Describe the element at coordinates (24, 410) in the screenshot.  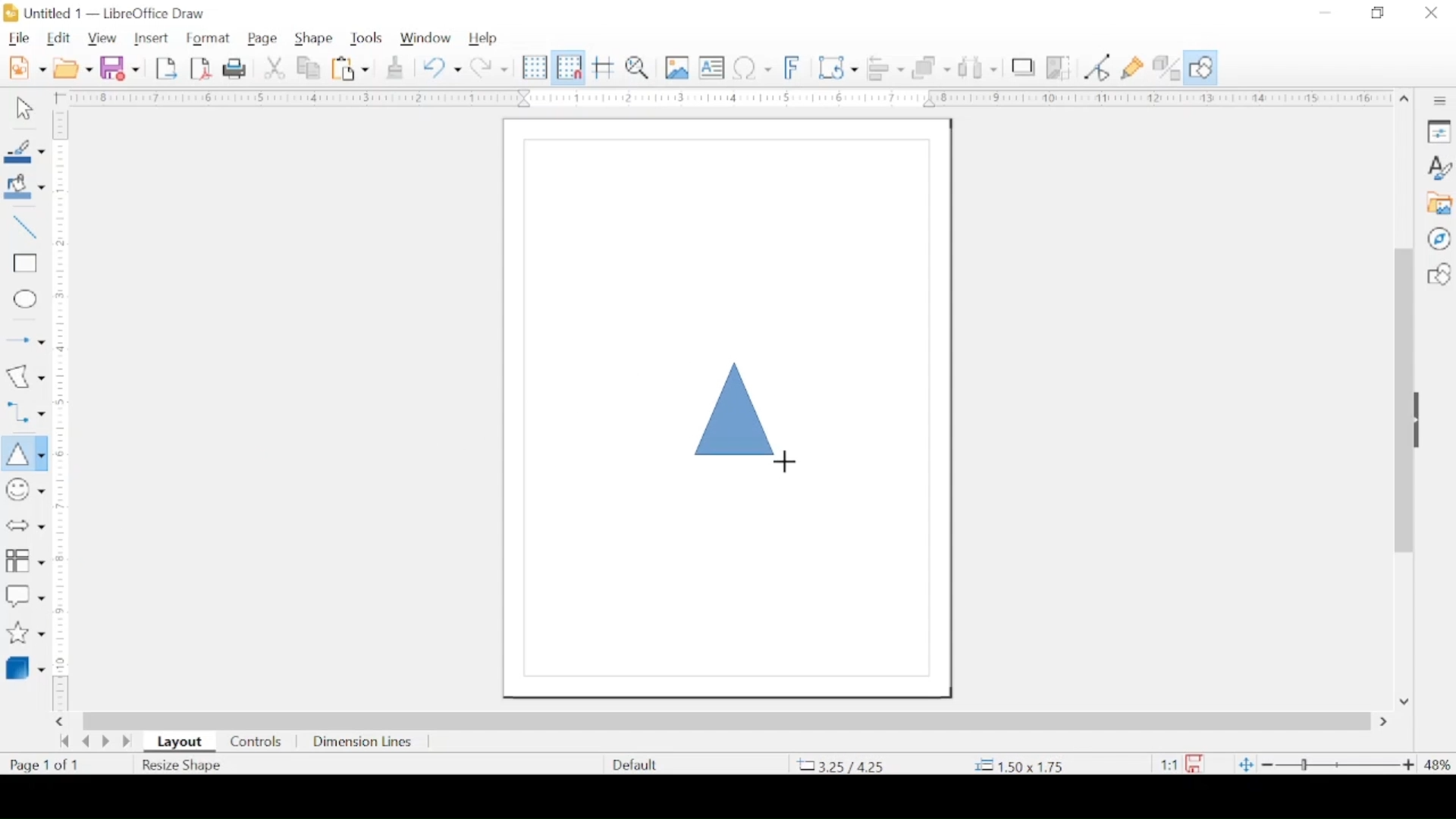
I see `connectors` at that location.